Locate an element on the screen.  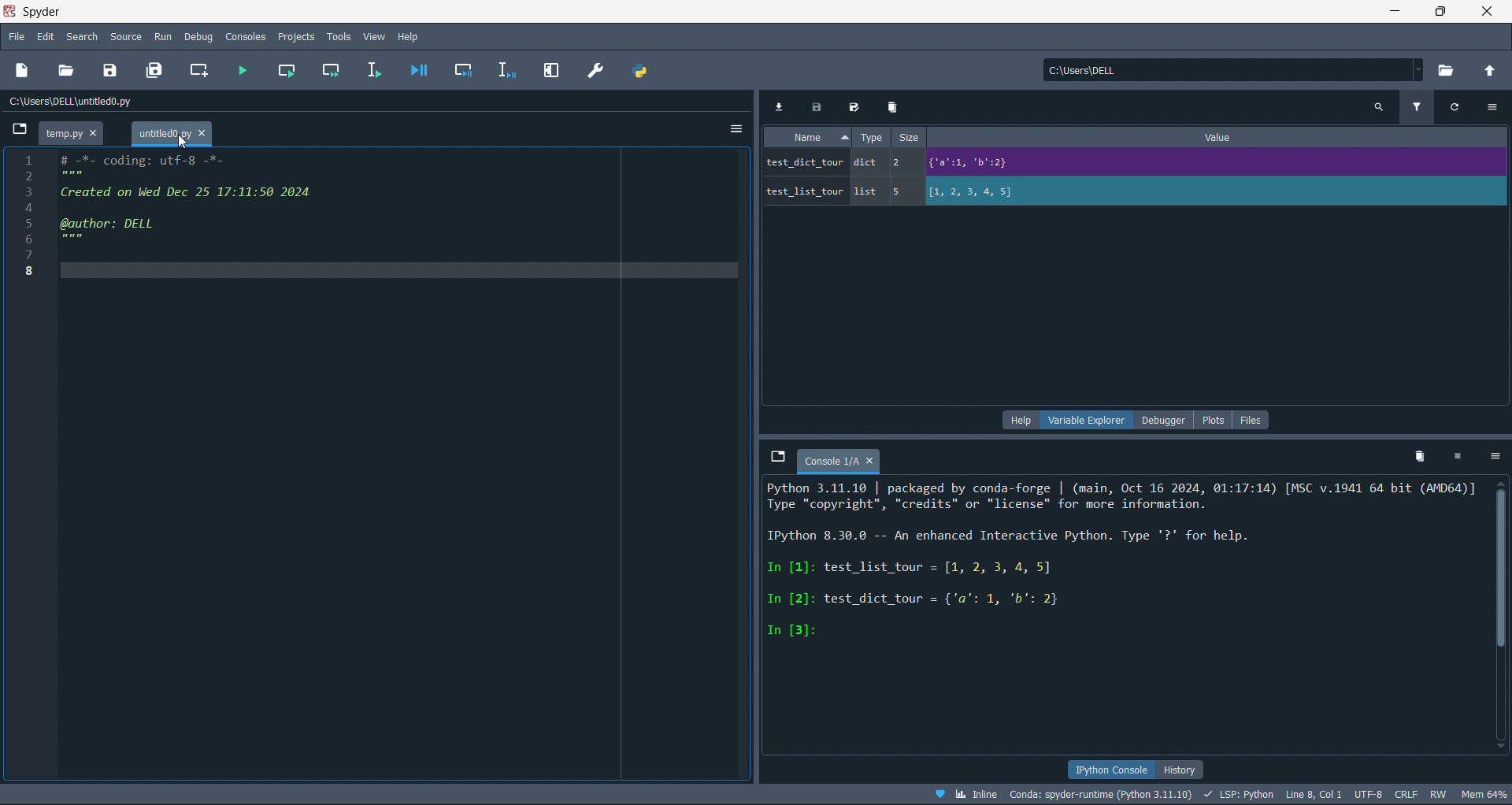
debug is located at coordinates (199, 37).